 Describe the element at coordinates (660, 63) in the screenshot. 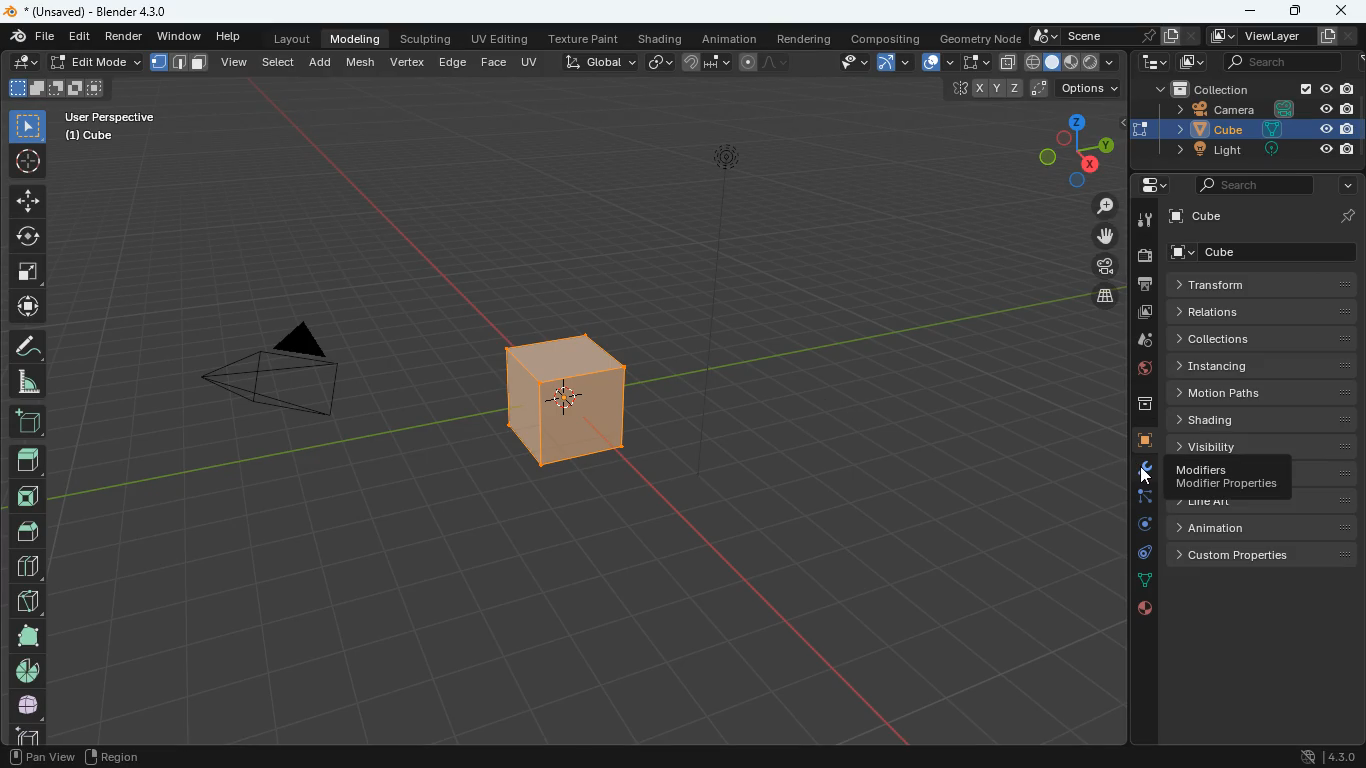

I see `link` at that location.